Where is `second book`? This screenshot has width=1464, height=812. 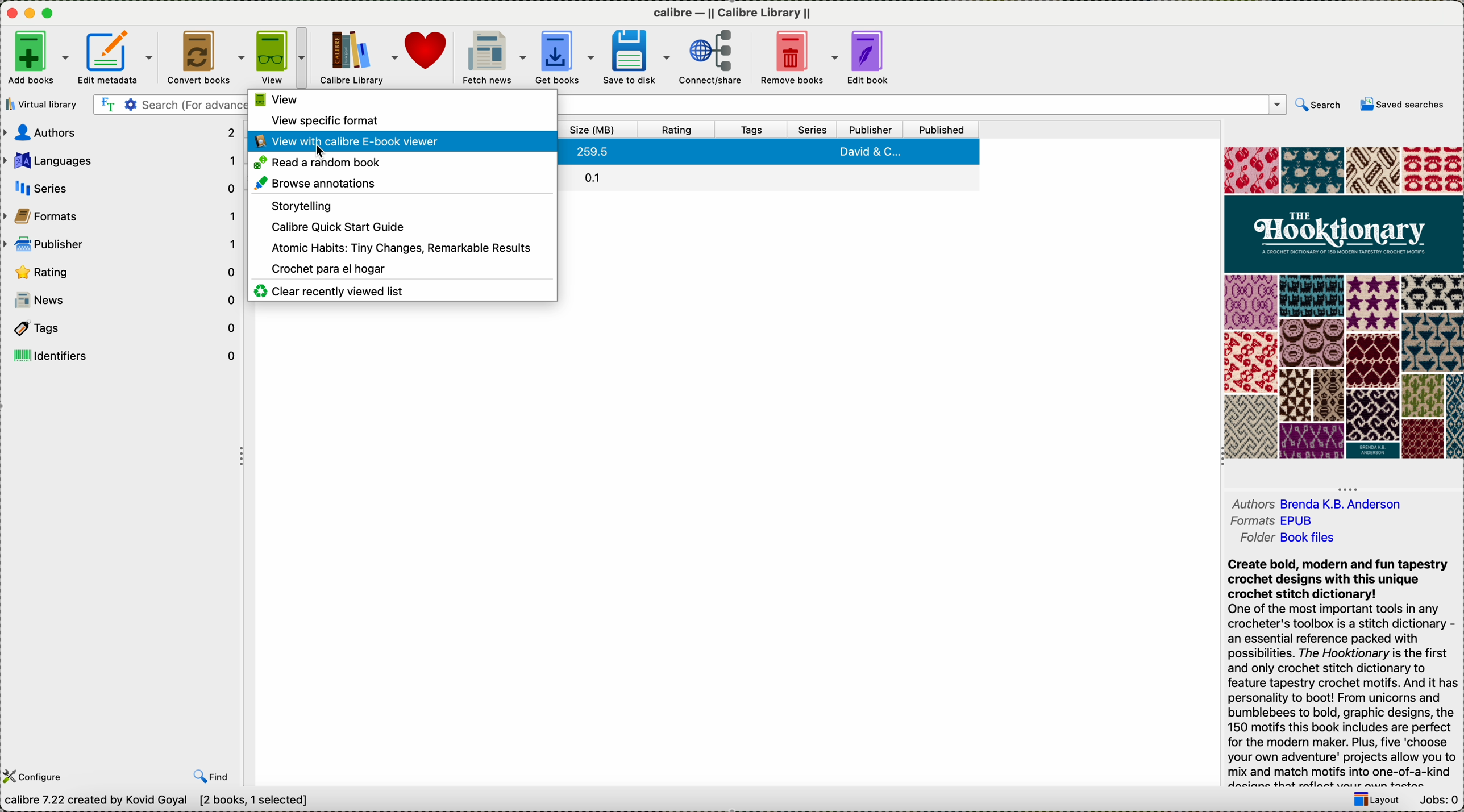
second book is located at coordinates (772, 177).